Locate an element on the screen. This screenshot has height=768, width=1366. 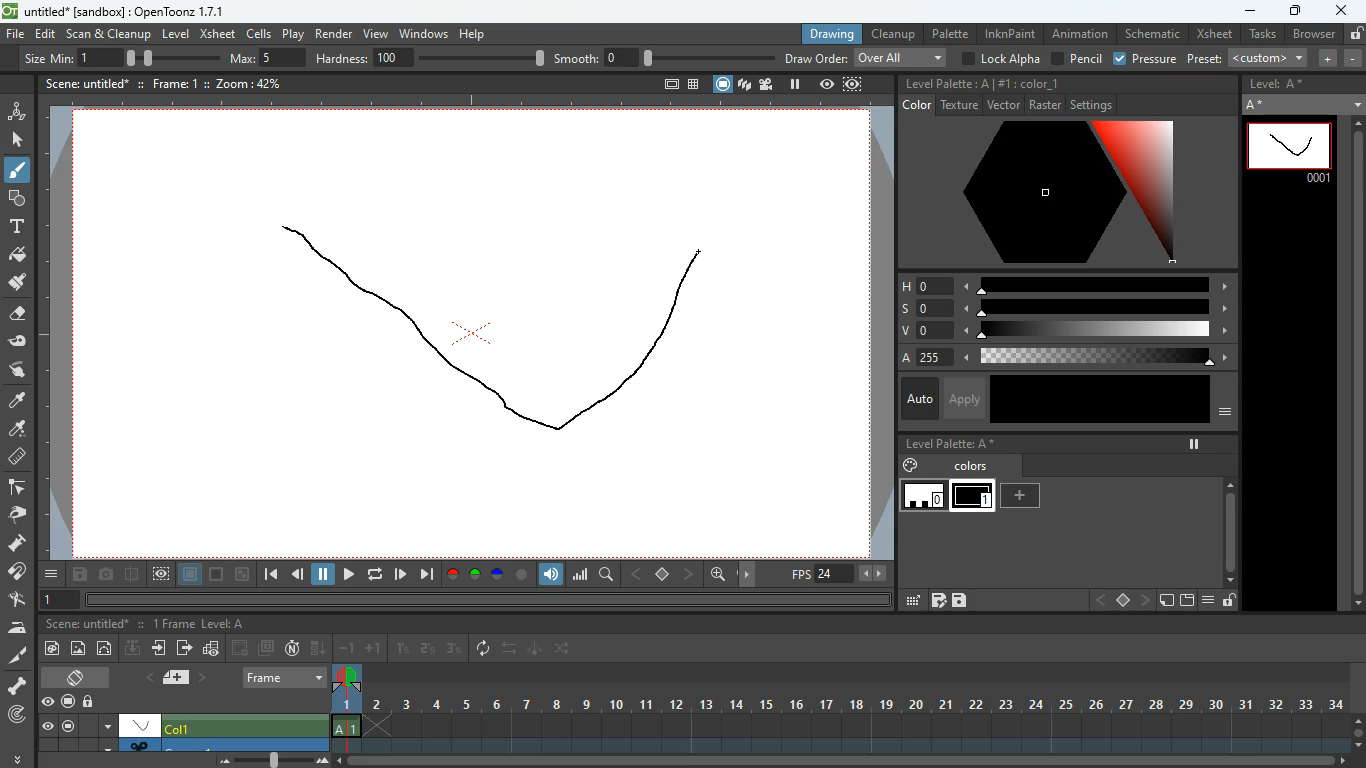
left is located at coordinates (634, 574).